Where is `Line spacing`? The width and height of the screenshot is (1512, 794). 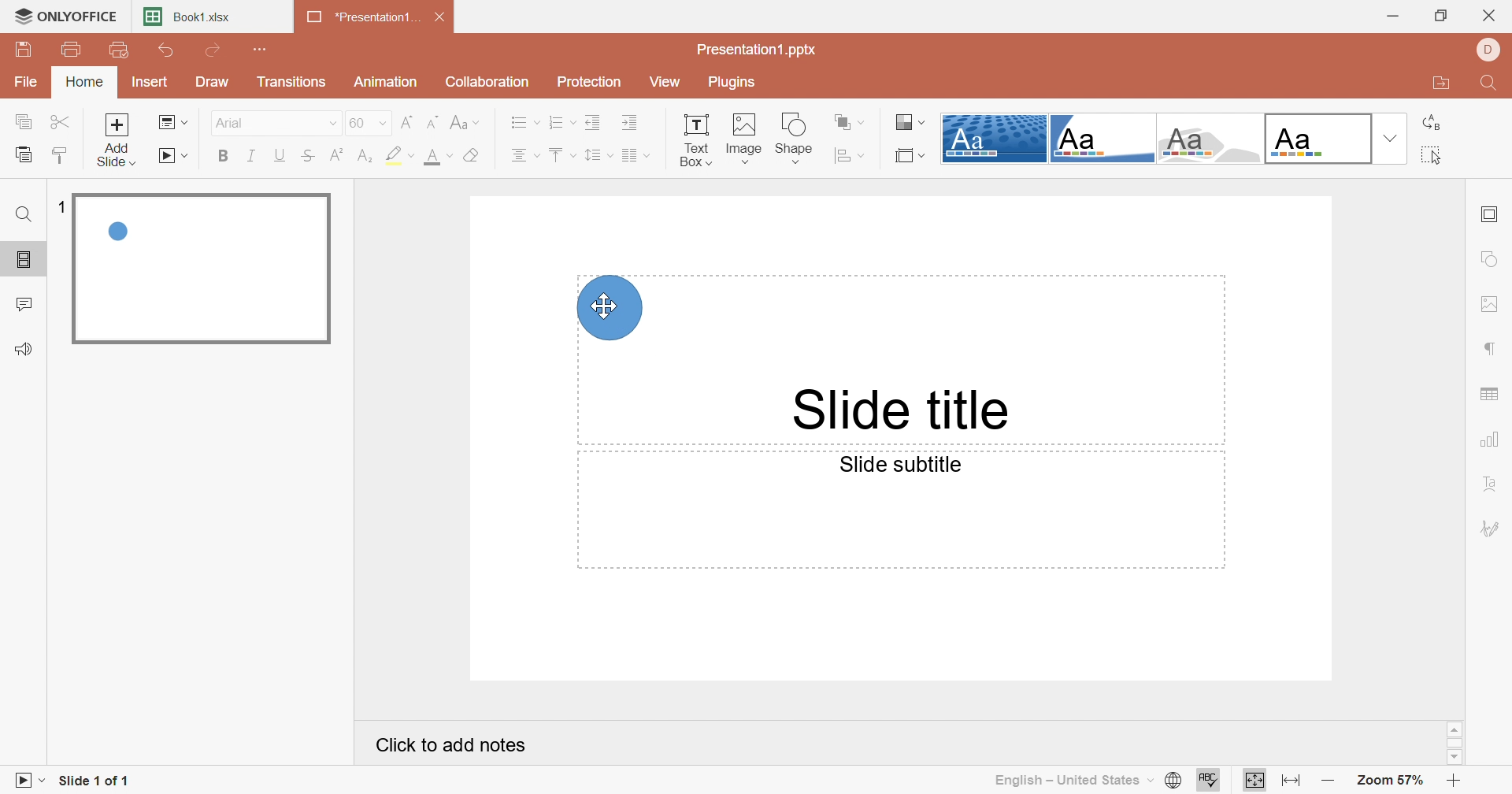
Line spacing is located at coordinates (598, 156).